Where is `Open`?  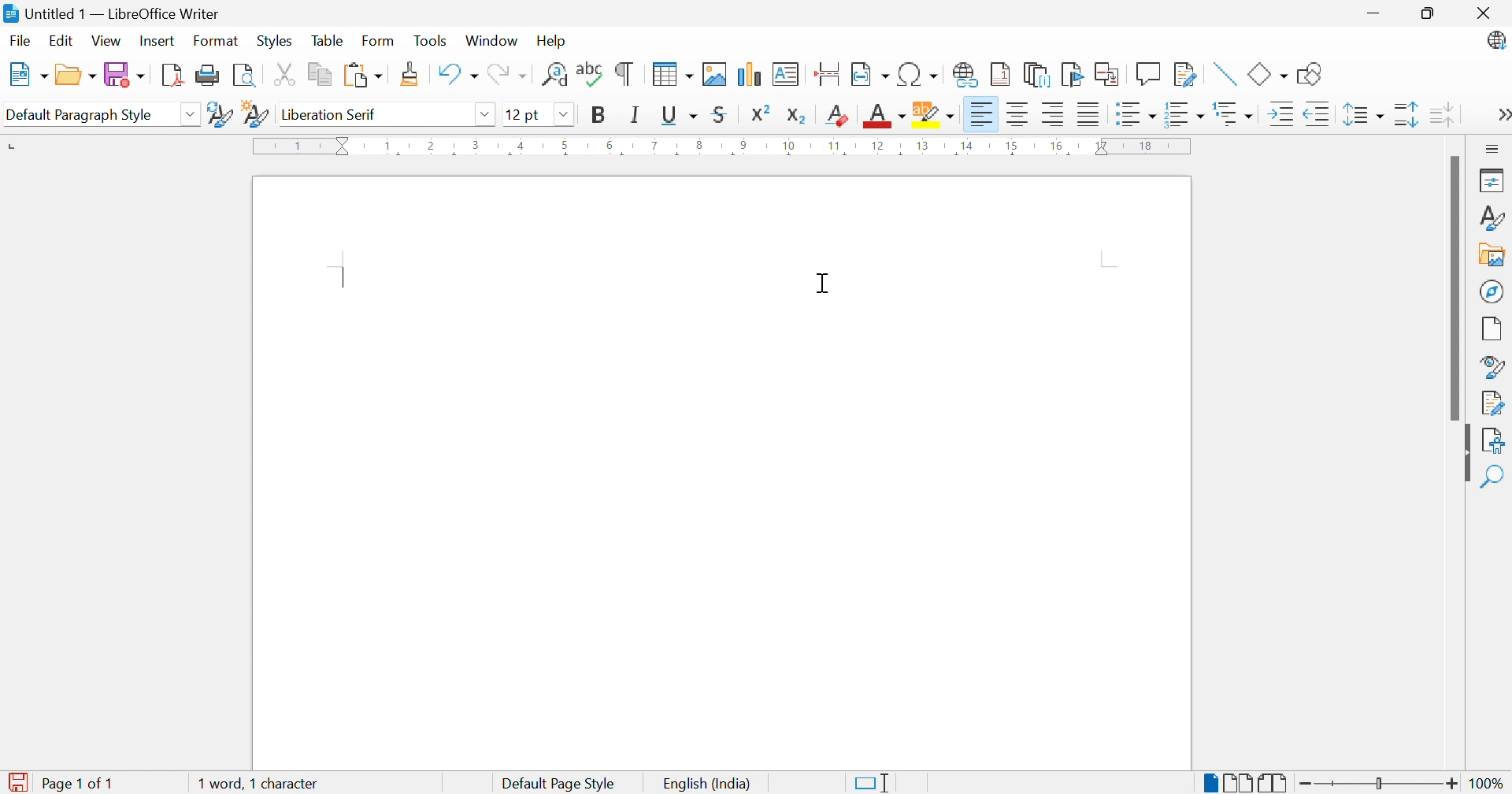 Open is located at coordinates (77, 75).